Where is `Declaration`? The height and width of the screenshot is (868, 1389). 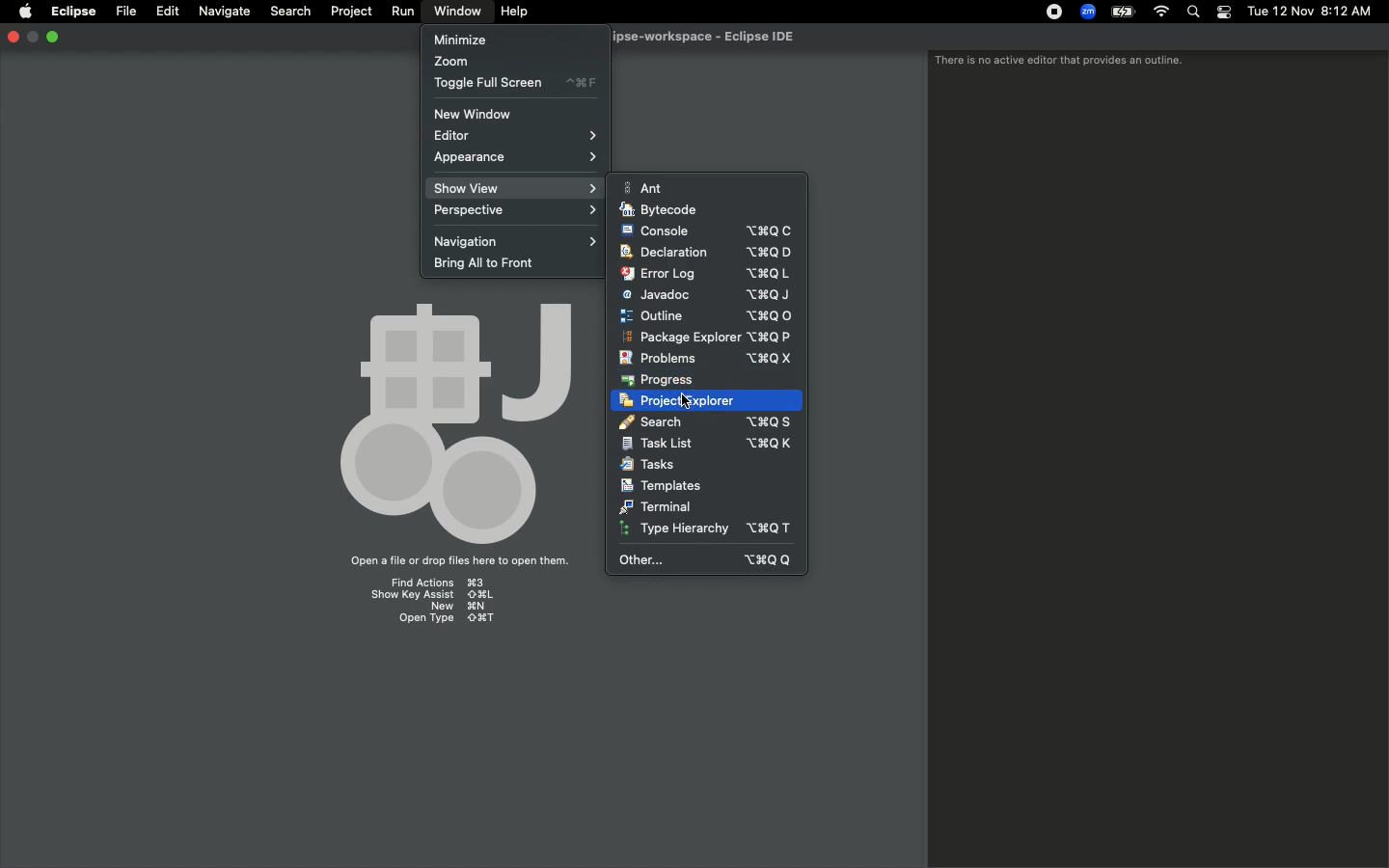
Declaration is located at coordinates (710, 253).